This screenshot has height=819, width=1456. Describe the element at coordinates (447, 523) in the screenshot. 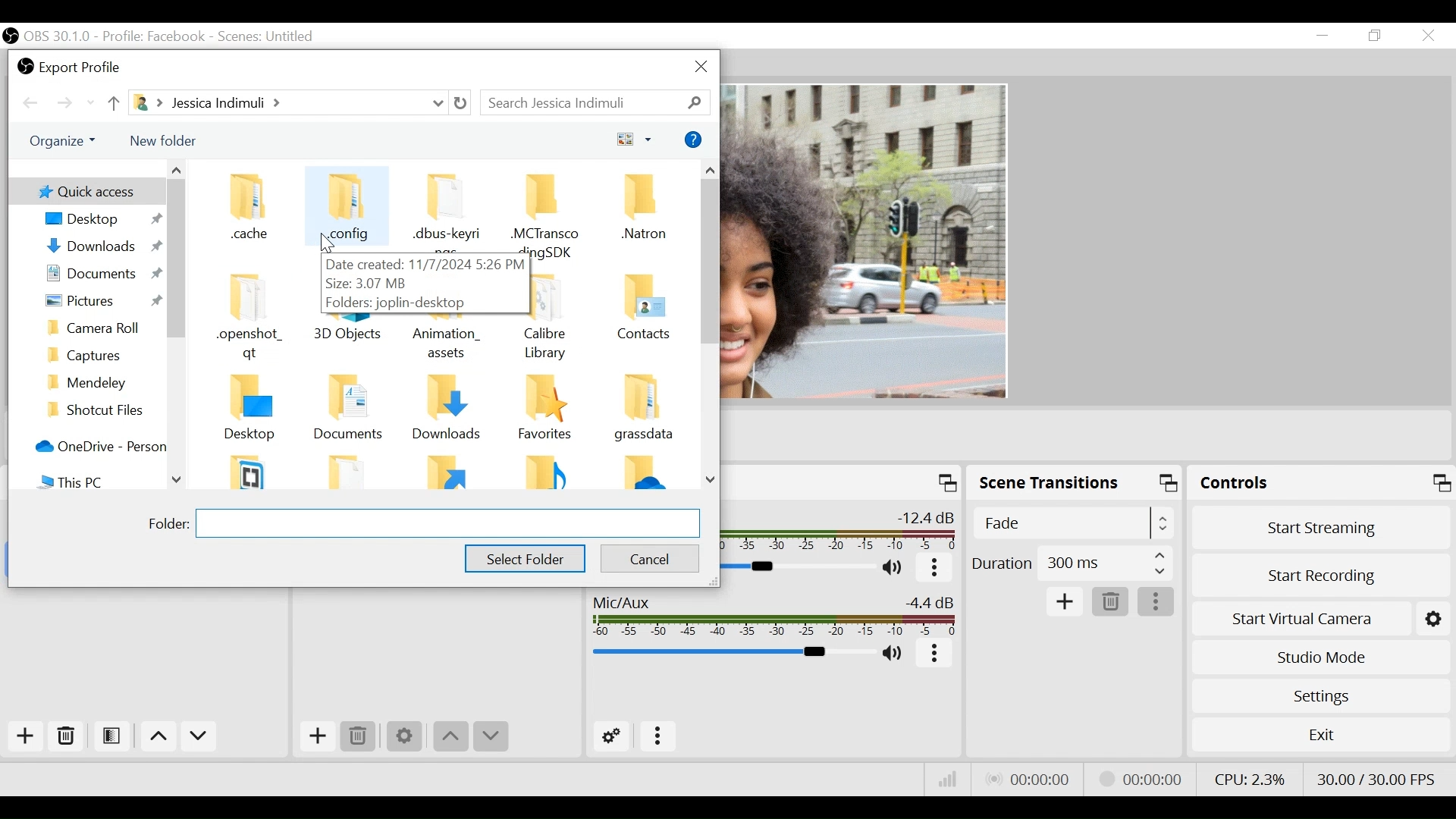

I see `Folder Field` at that location.